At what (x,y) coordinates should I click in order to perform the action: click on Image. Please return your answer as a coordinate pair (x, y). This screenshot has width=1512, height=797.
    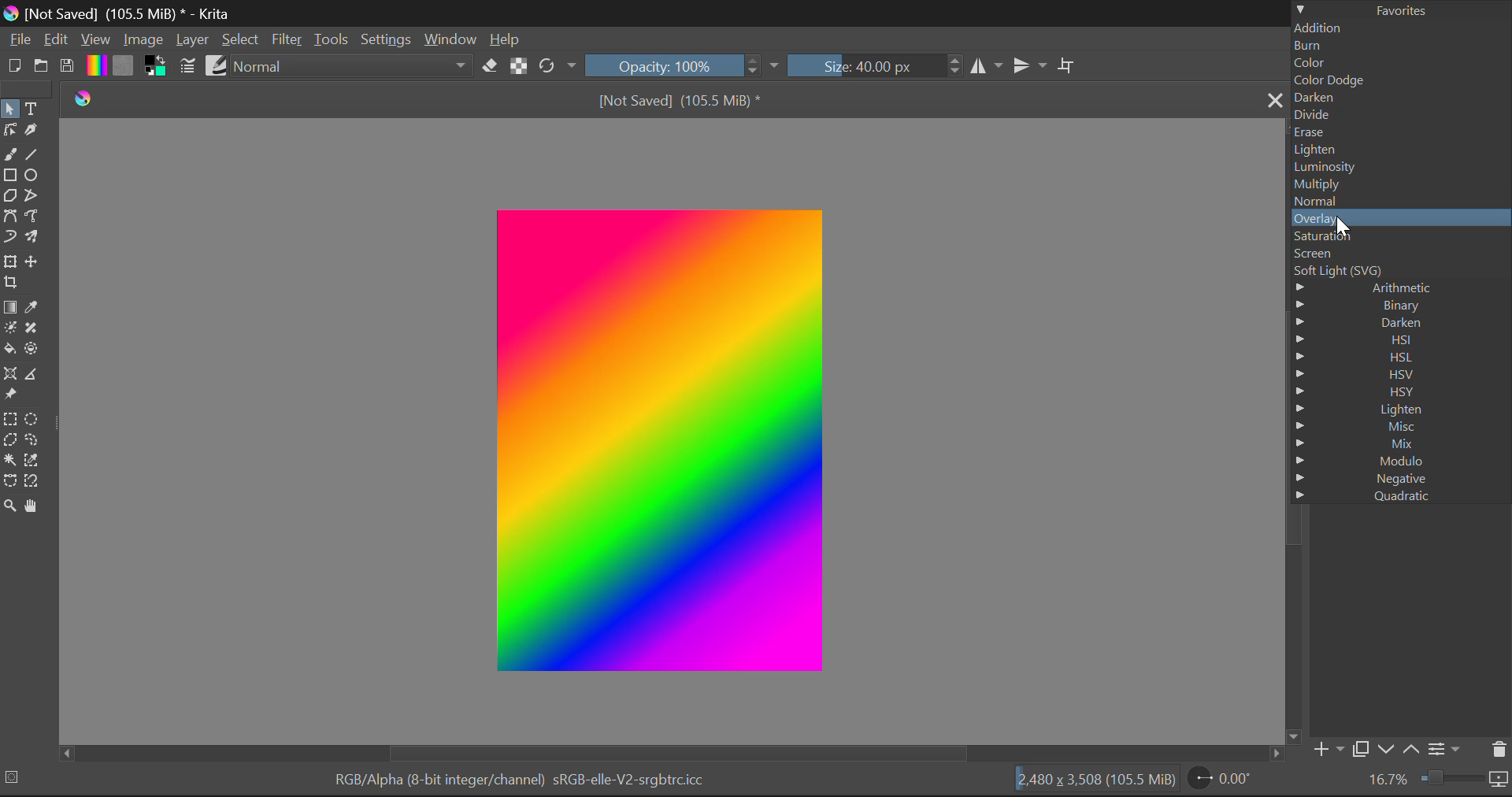
    Looking at the image, I should click on (145, 42).